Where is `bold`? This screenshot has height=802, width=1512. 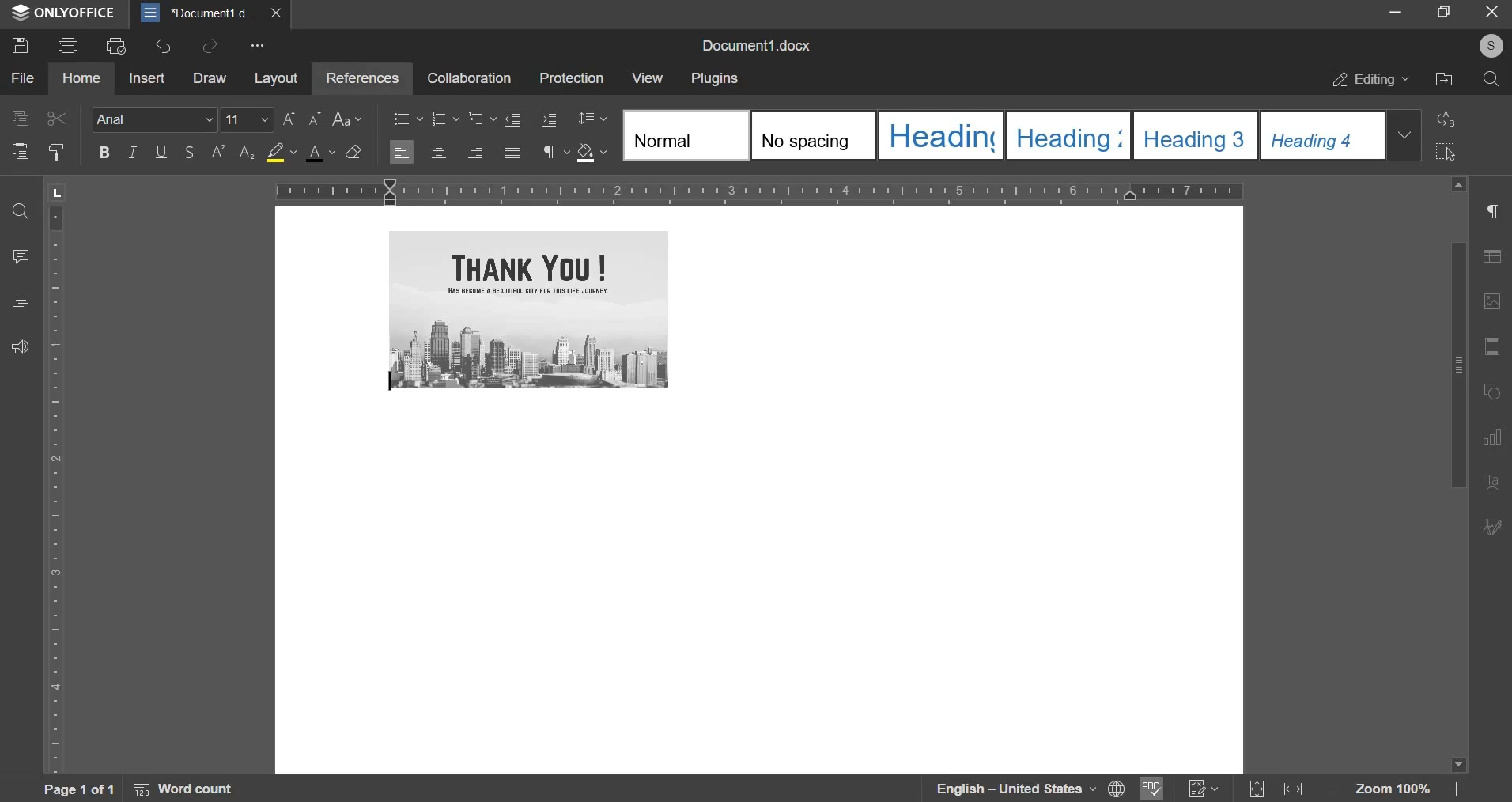 bold is located at coordinates (103, 151).